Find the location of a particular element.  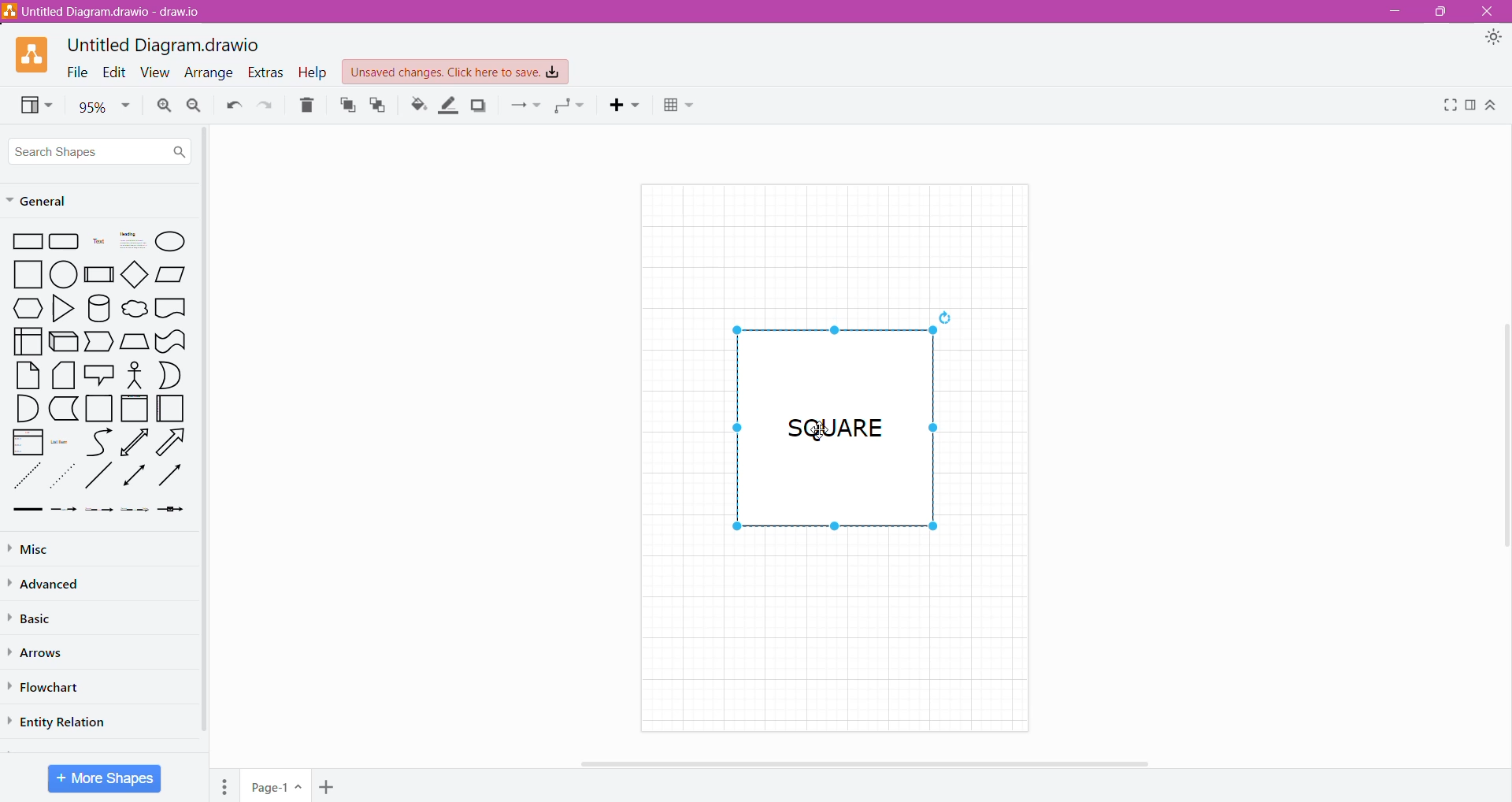

Grid rectangle is located at coordinates (65, 241).